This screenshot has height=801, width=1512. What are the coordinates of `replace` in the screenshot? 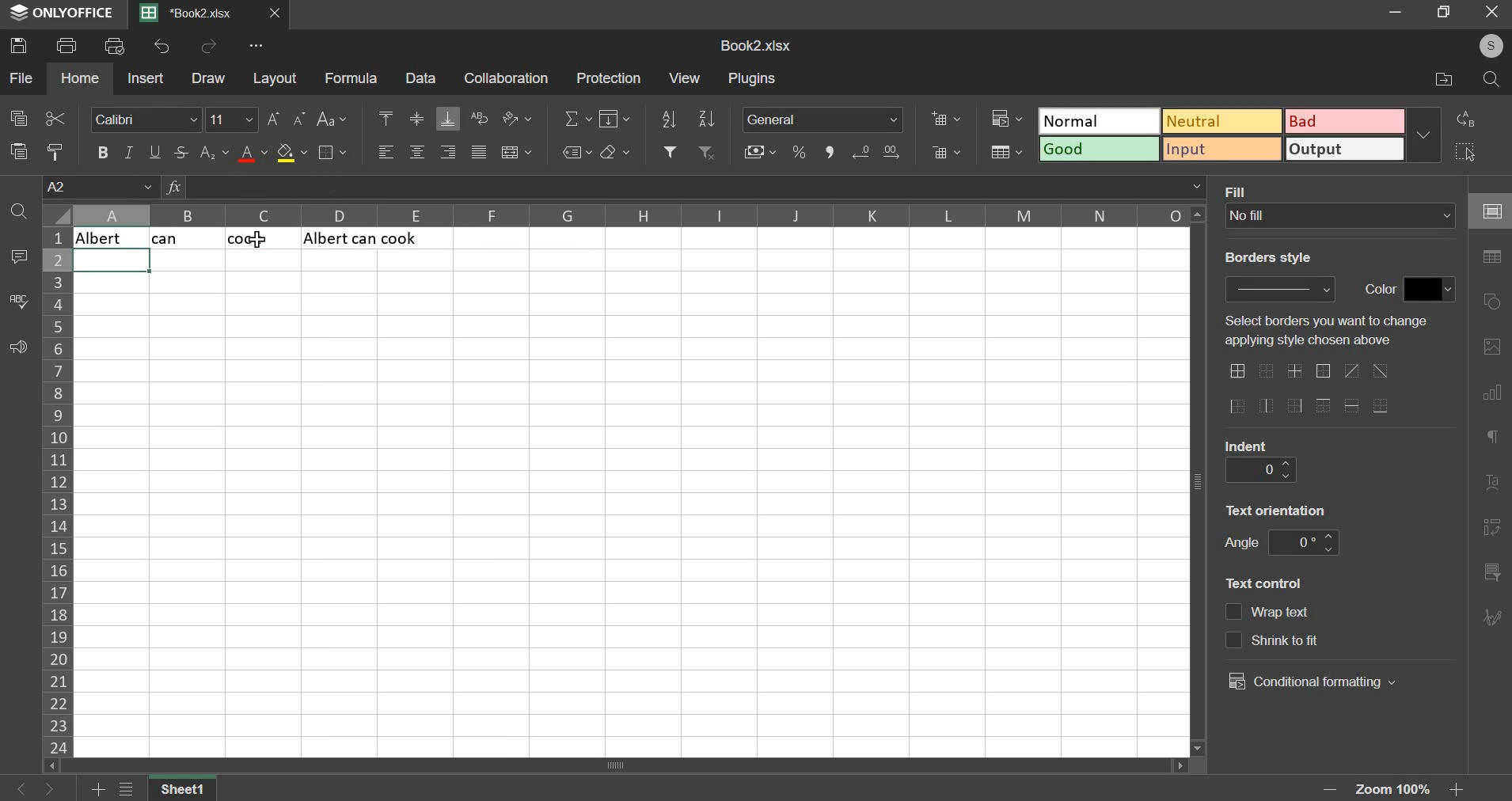 It's located at (1471, 119).